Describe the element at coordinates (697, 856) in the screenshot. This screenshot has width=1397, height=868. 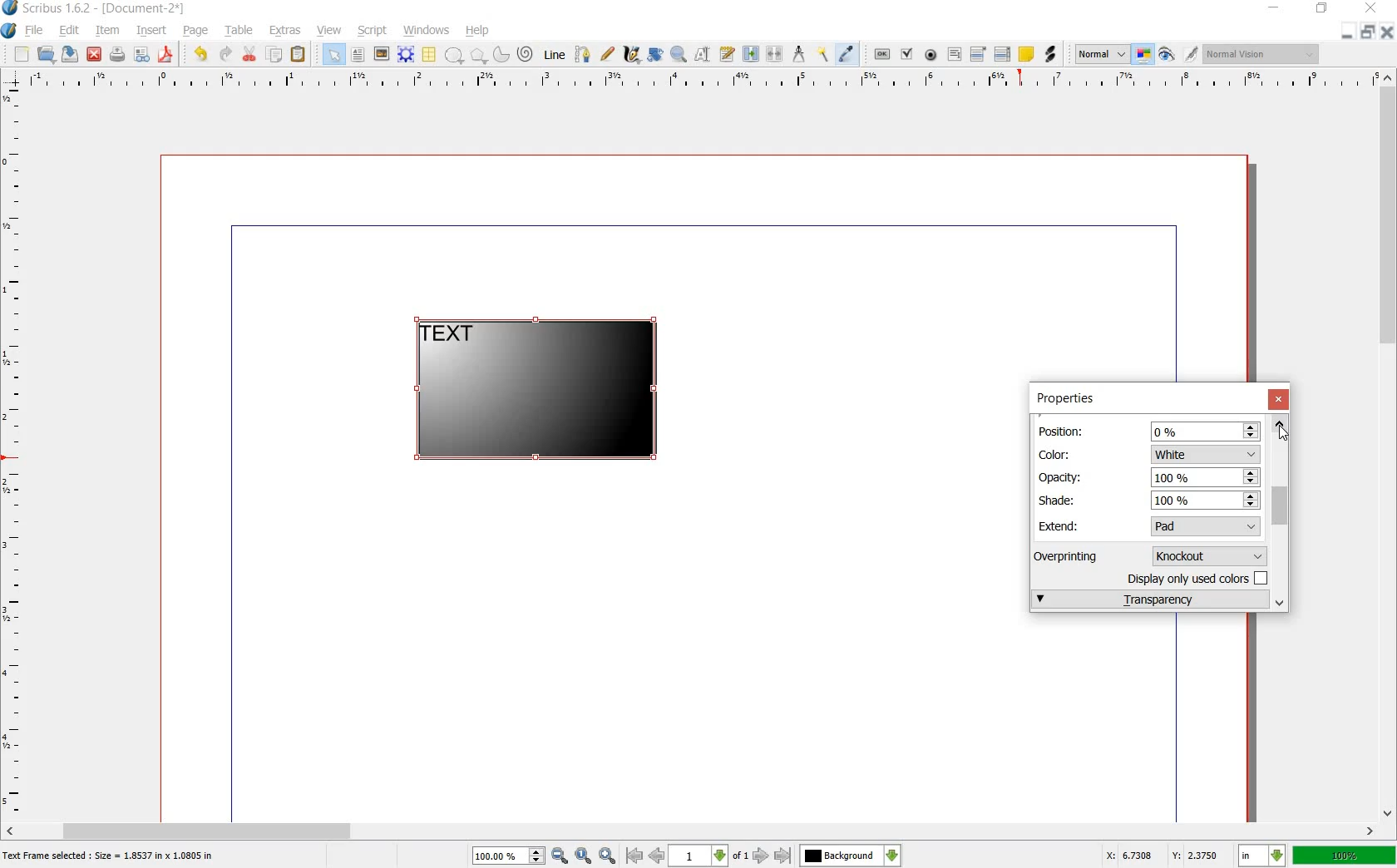
I see `1` at that location.